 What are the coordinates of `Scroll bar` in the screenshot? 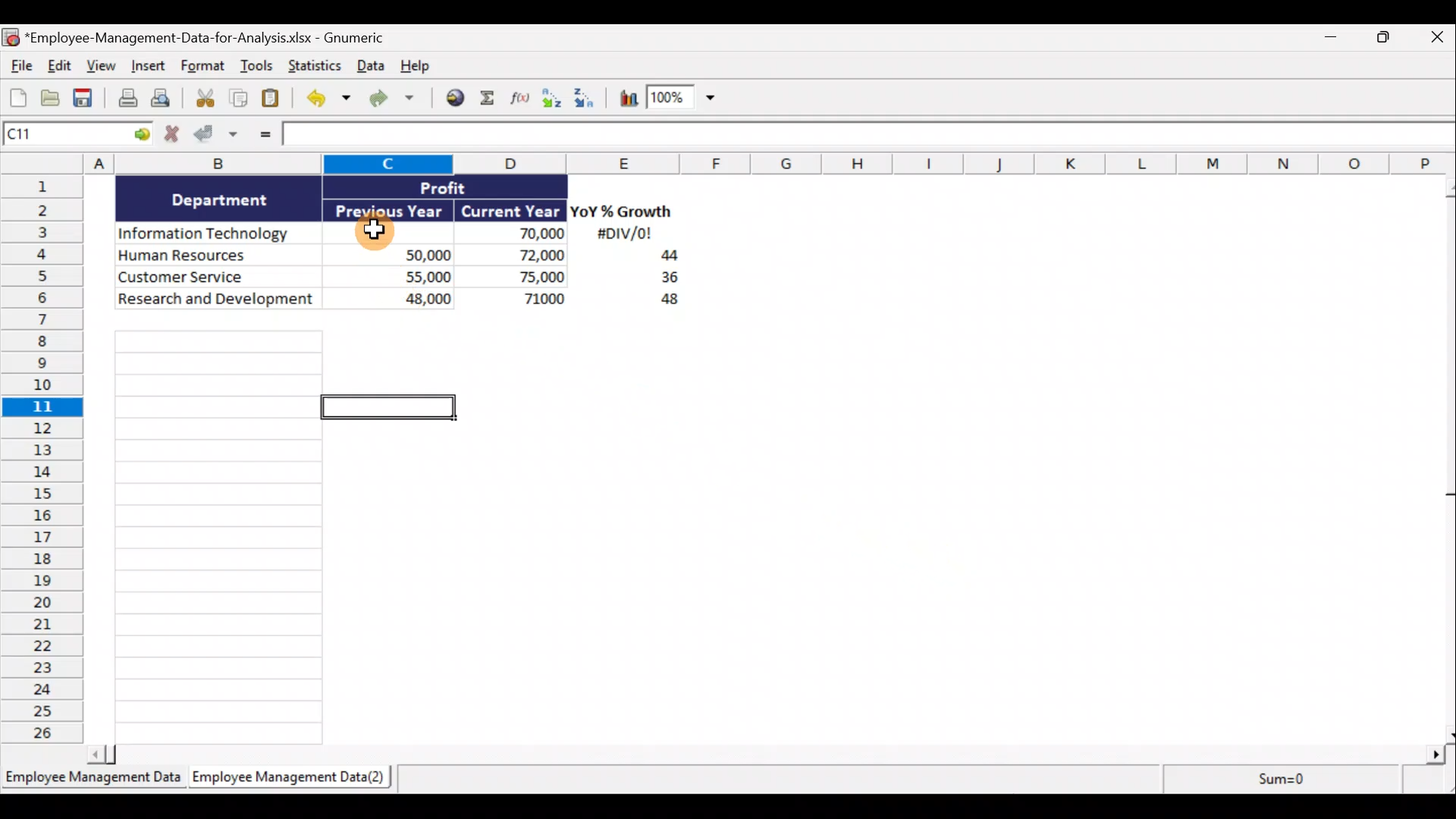 It's located at (771, 752).